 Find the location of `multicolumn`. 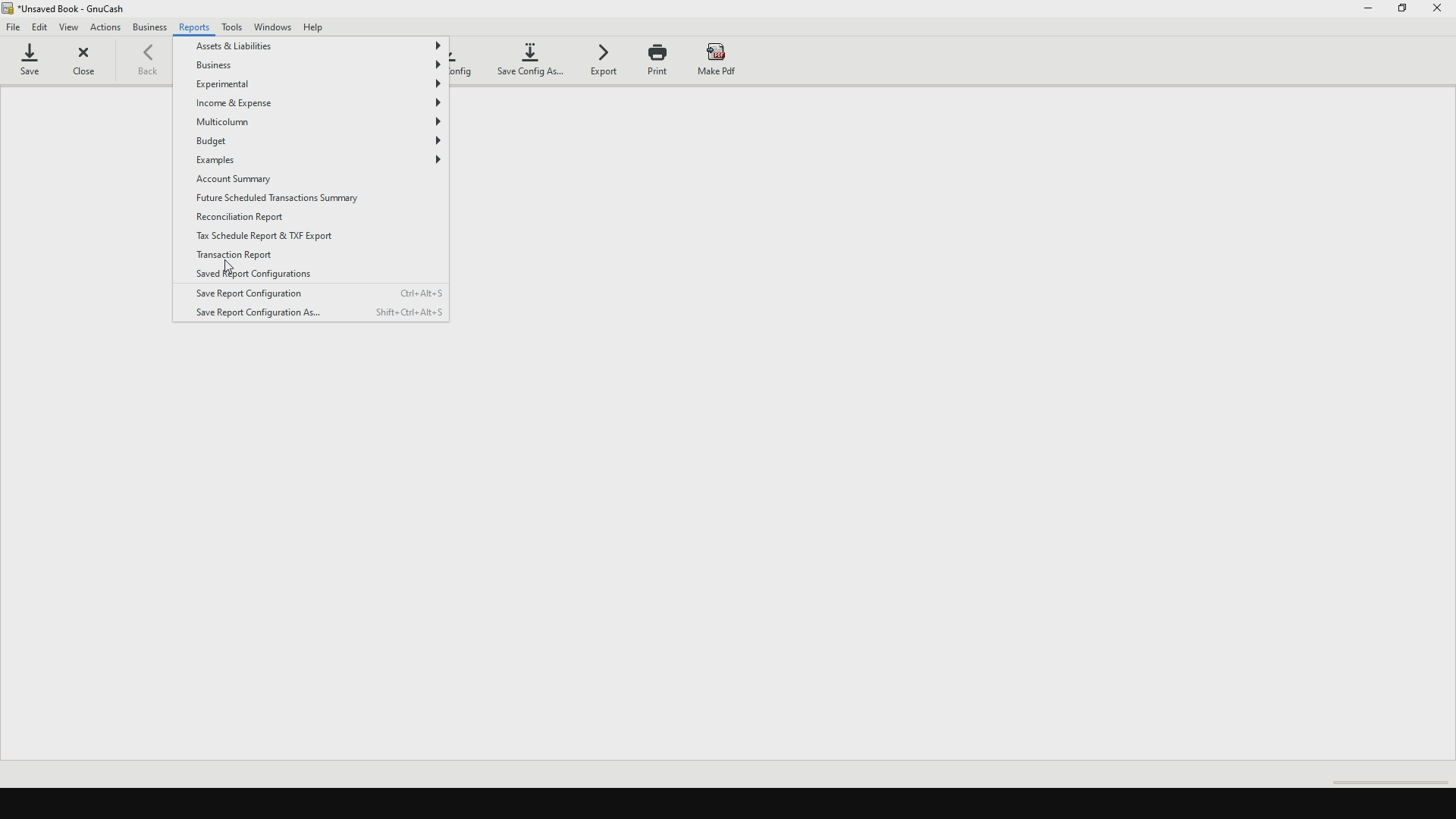

multicolumn is located at coordinates (315, 122).